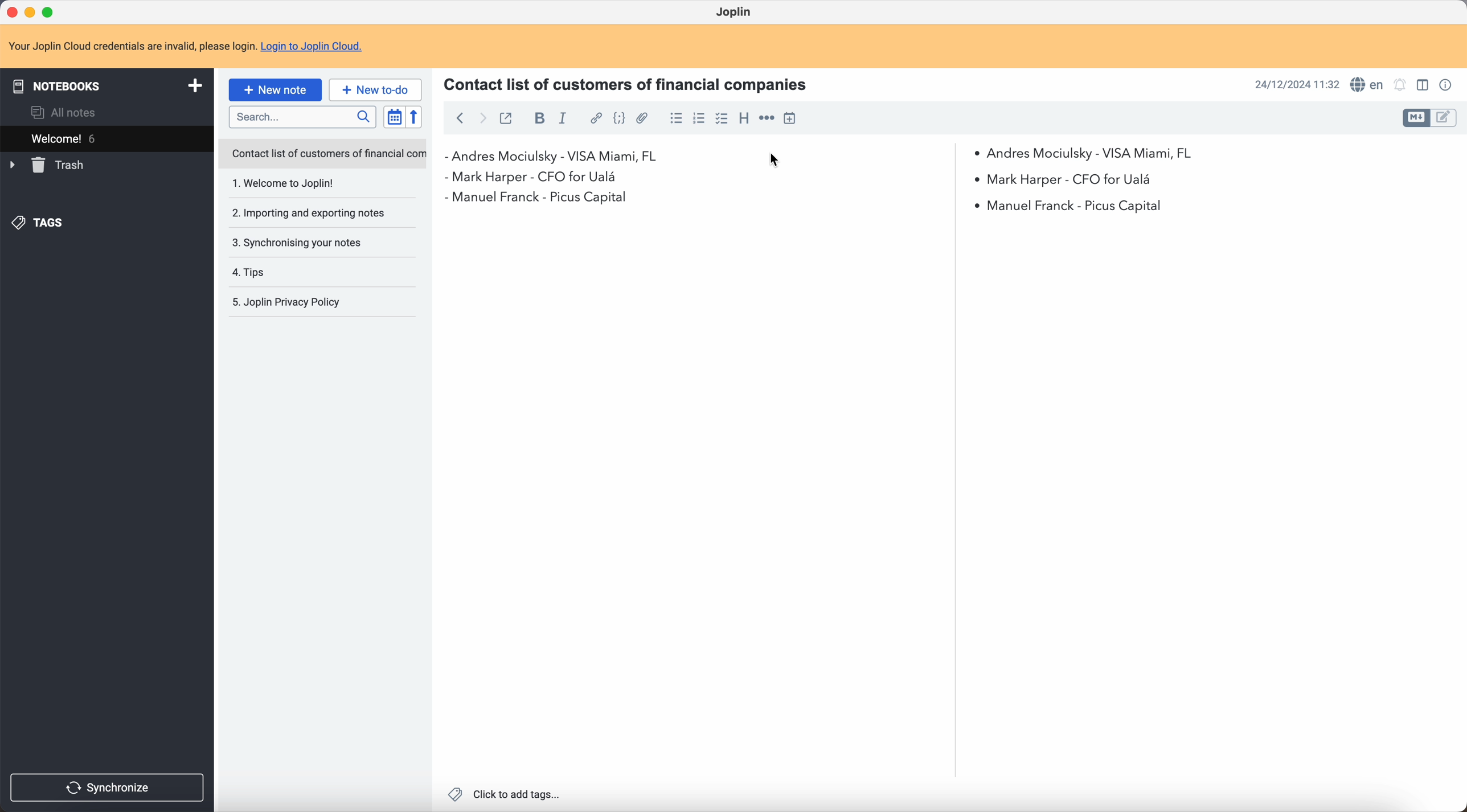 This screenshot has height=812, width=1467. What do you see at coordinates (774, 161) in the screenshot?
I see `cursor` at bounding box center [774, 161].